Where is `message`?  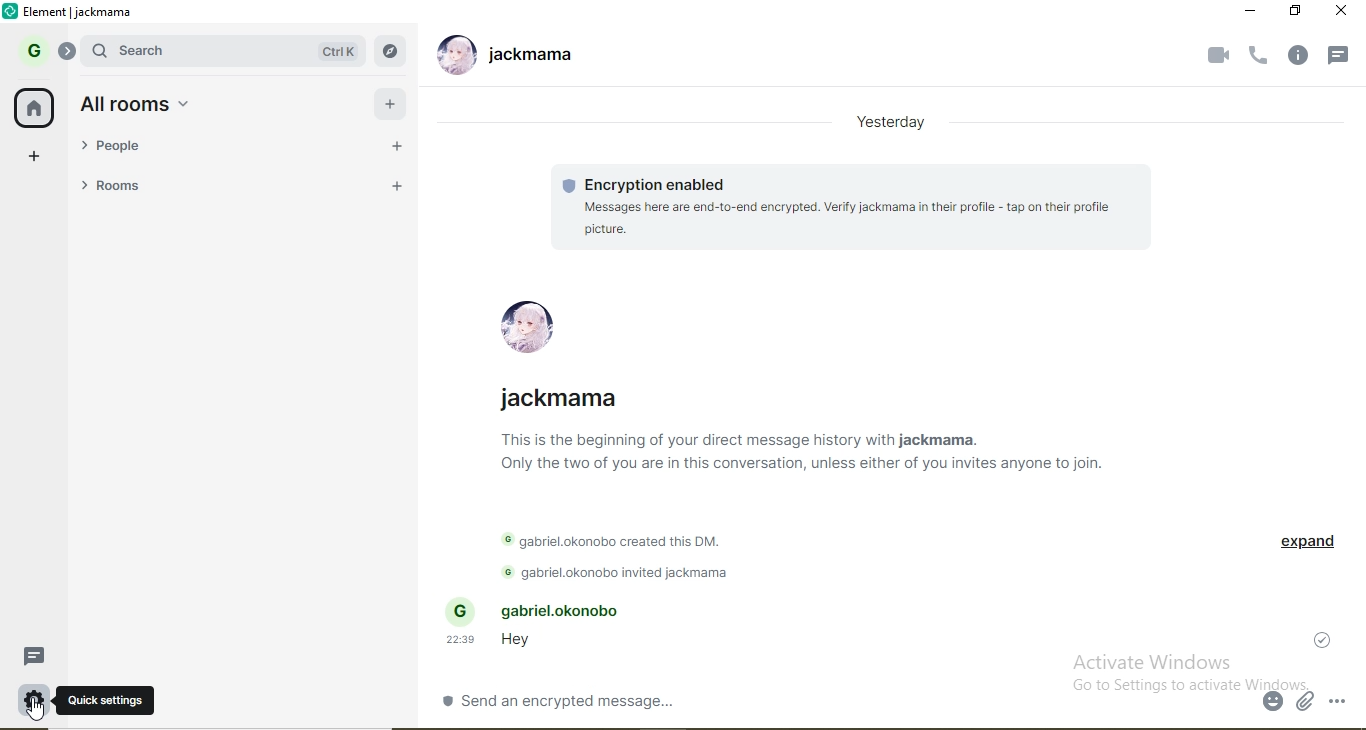
message is located at coordinates (40, 656).